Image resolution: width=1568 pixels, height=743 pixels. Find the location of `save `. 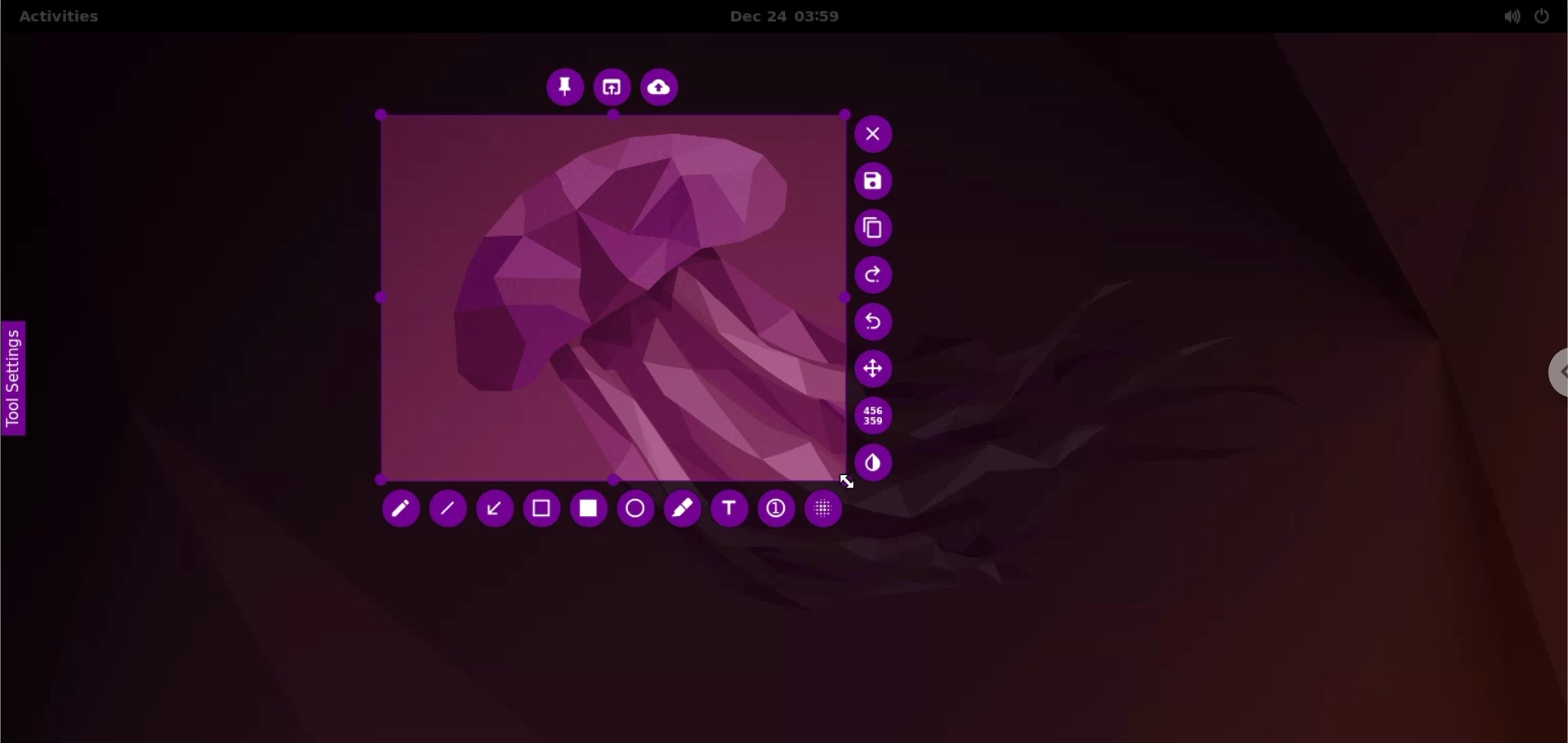

save  is located at coordinates (879, 183).